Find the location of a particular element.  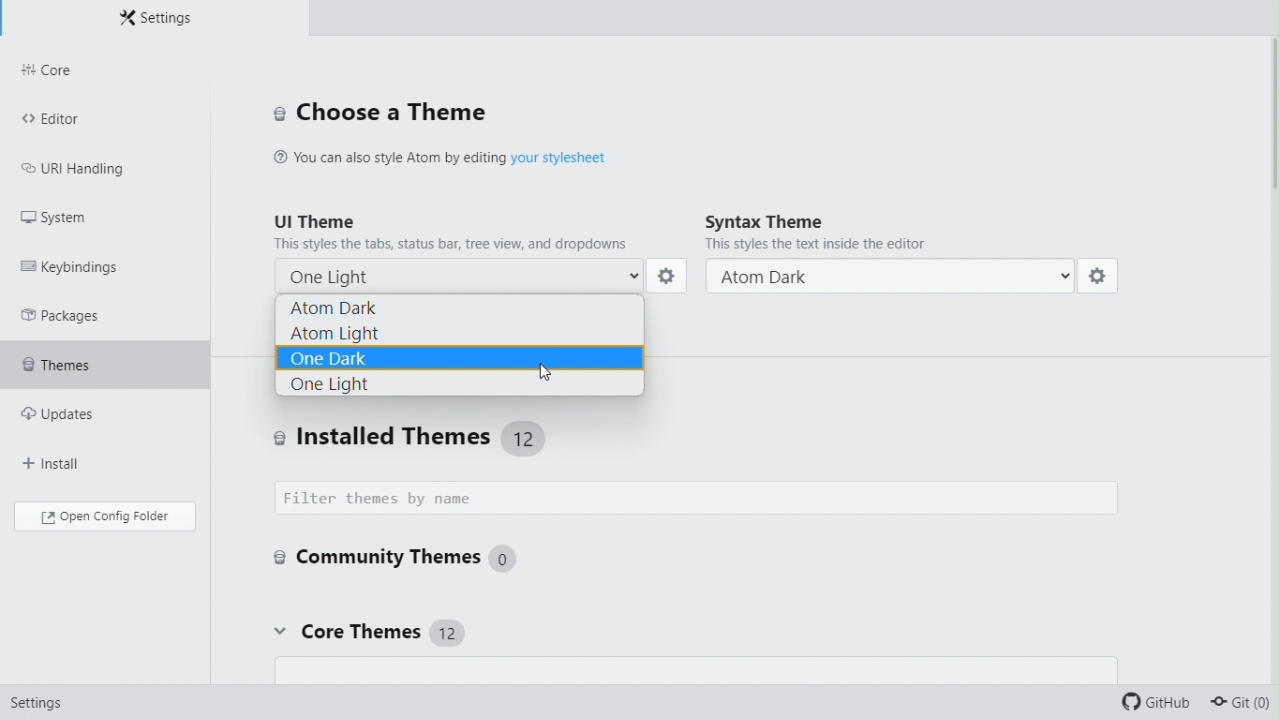

editor is located at coordinates (75, 122).